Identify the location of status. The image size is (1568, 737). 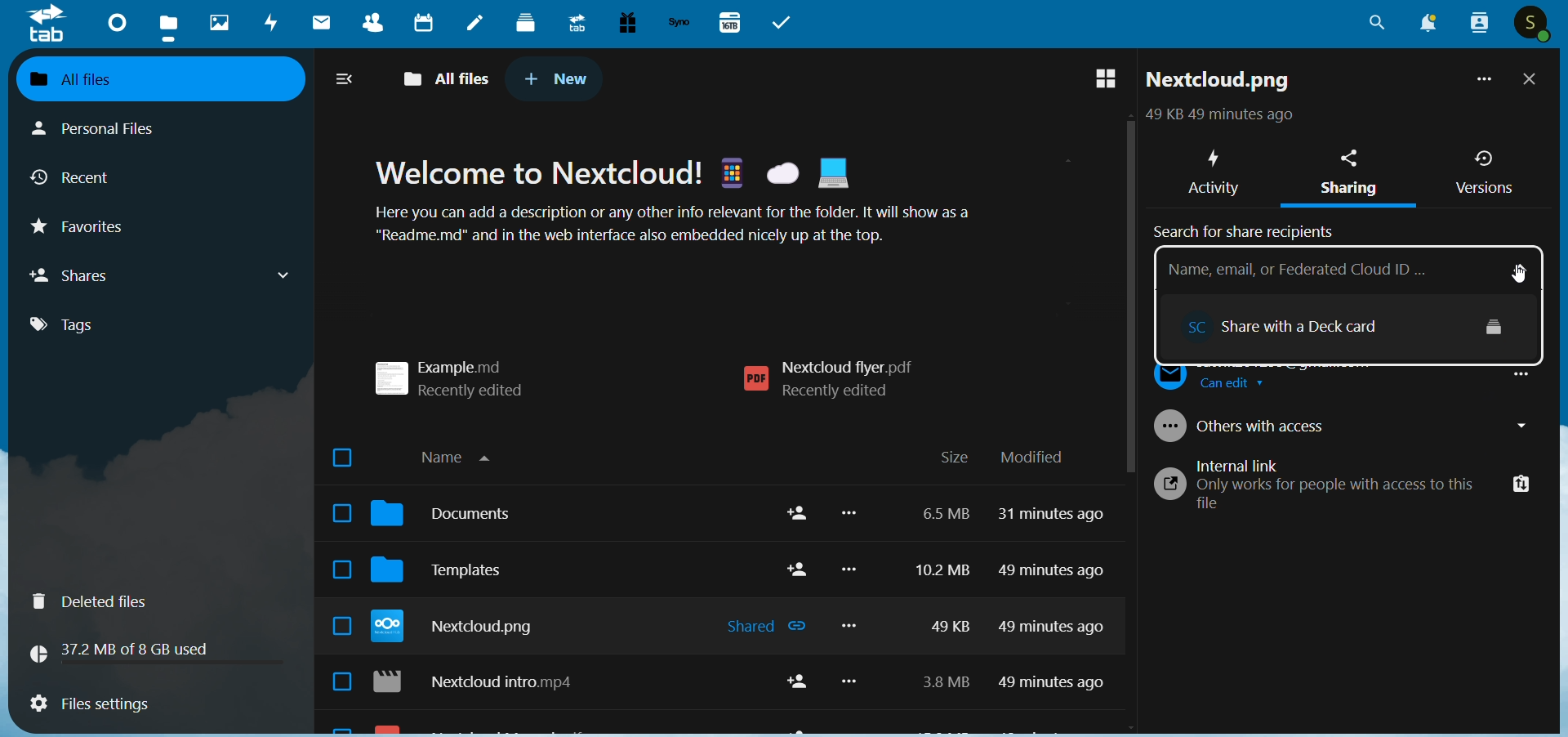
(1216, 117).